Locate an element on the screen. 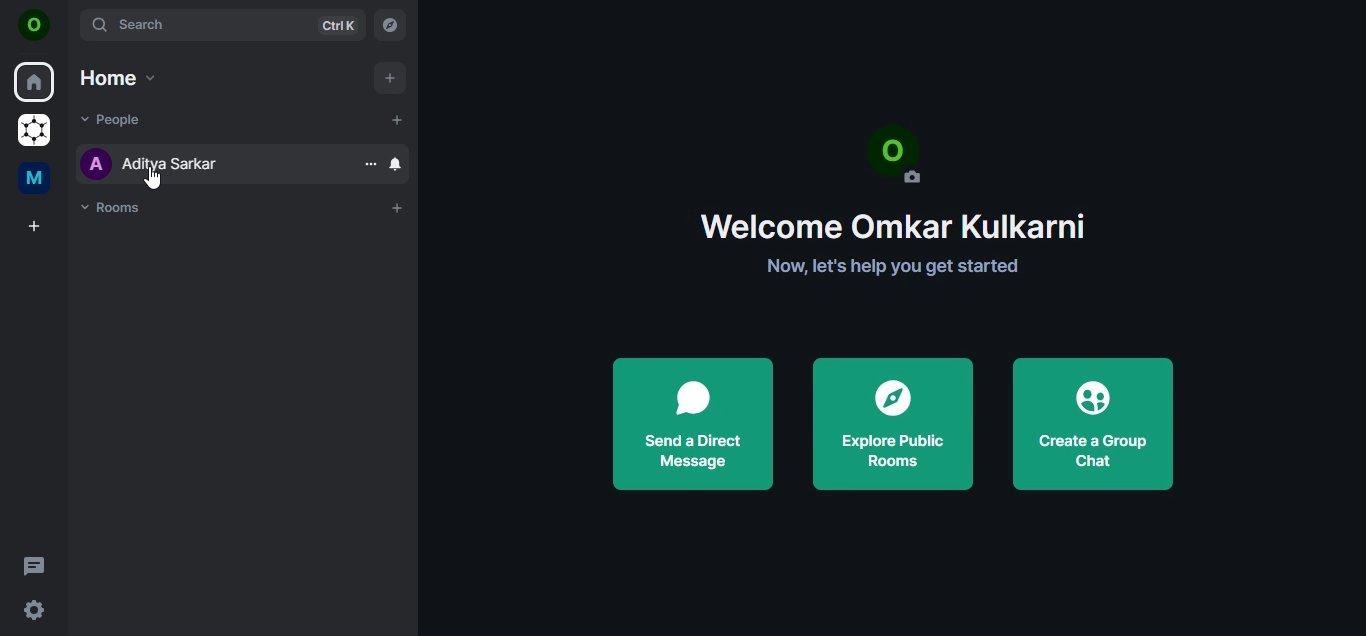 The height and width of the screenshot is (636, 1366). send a direct message is located at coordinates (692, 419).